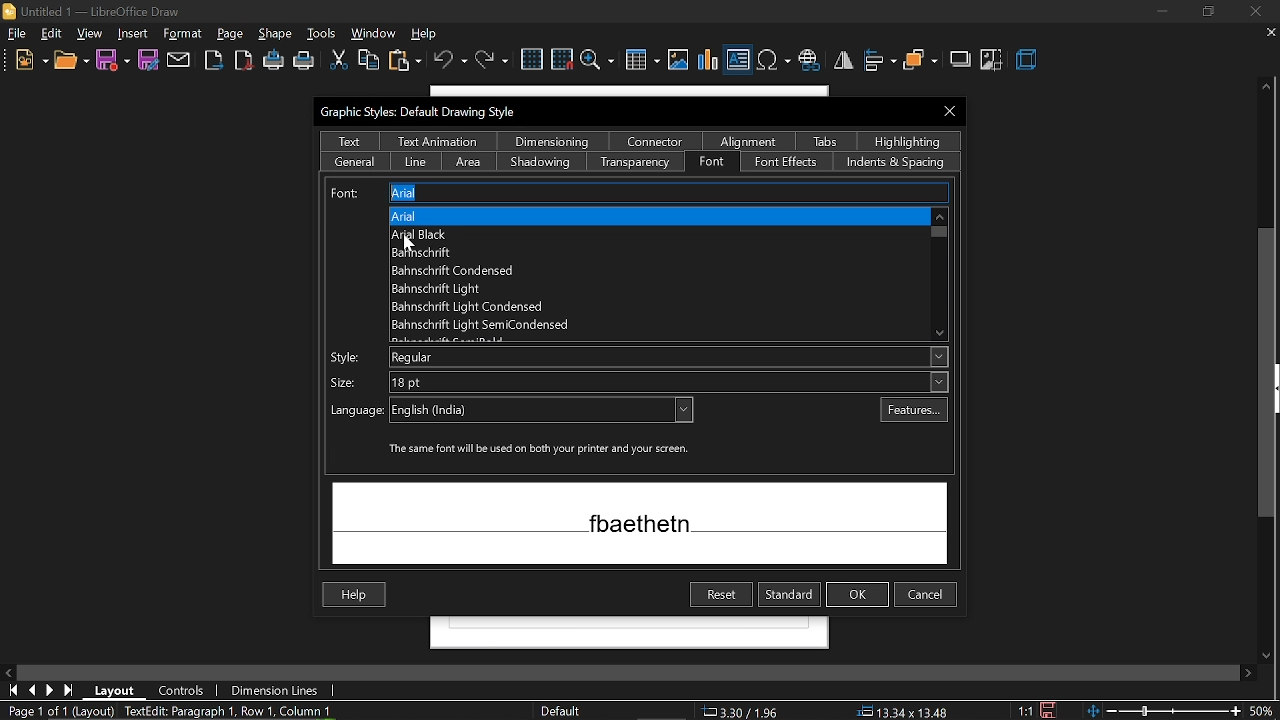 Image resolution: width=1280 pixels, height=720 pixels. Describe the element at coordinates (562, 58) in the screenshot. I see `snap to grid` at that location.